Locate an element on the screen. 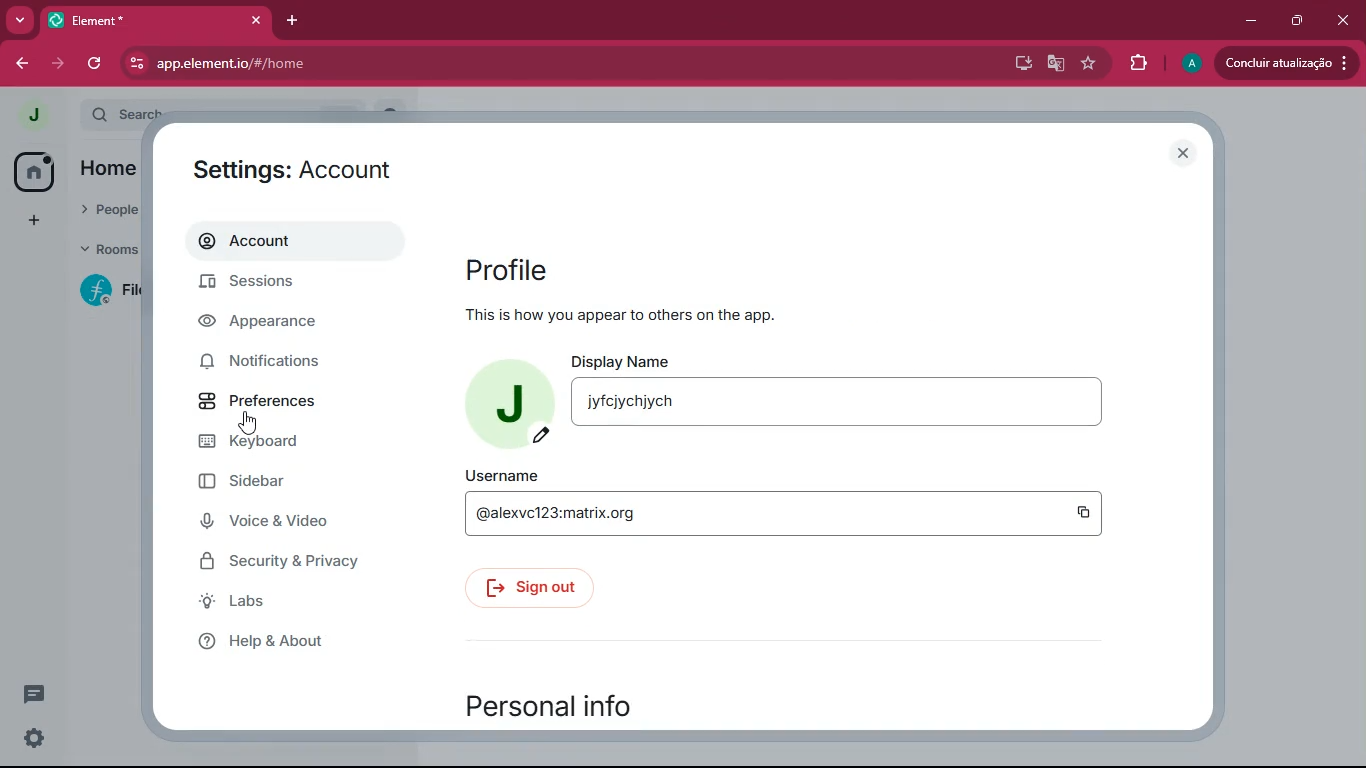  forward is located at coordinates (60, 63).